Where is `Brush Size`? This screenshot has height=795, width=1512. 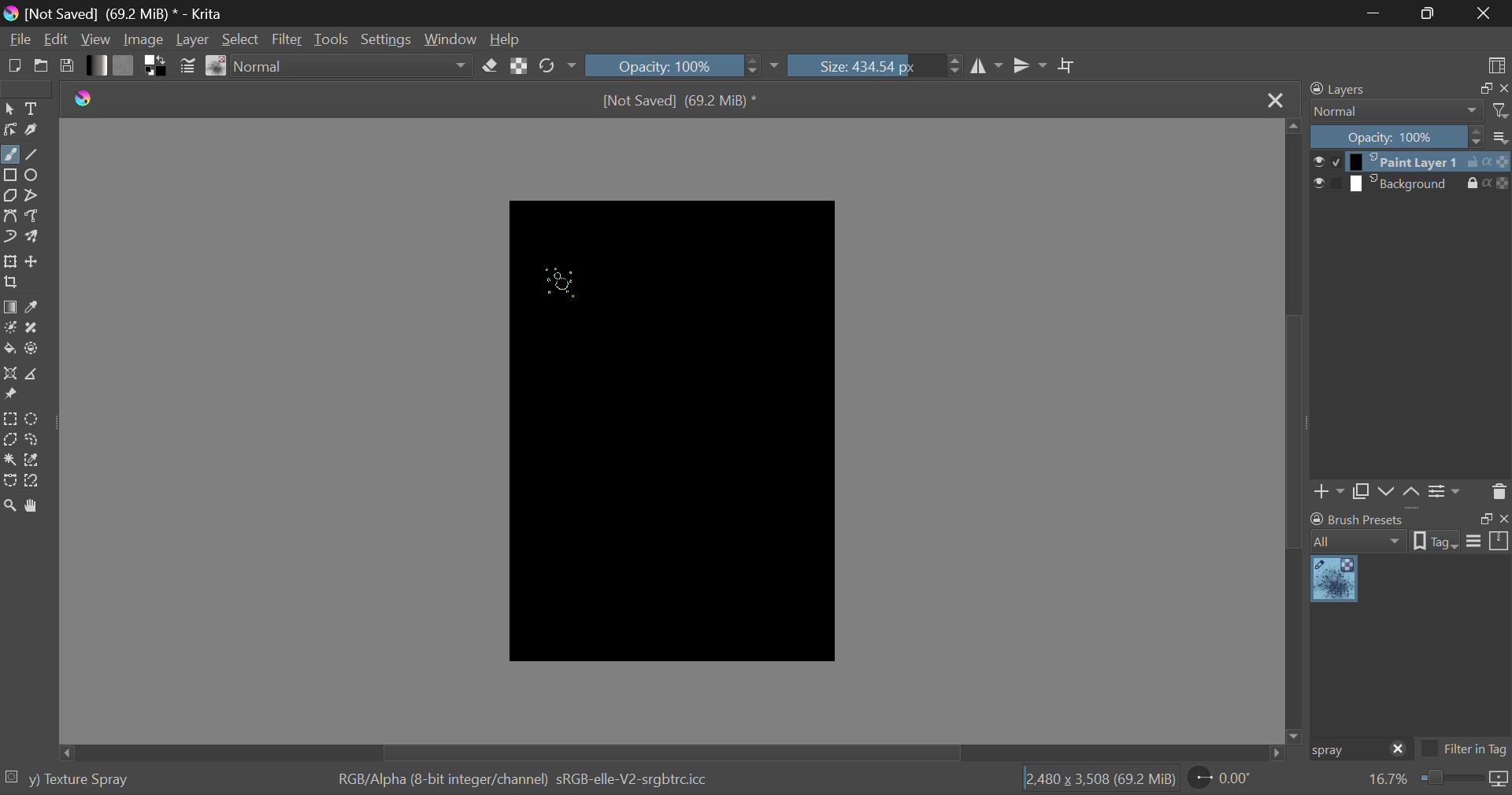 Brush Size is located at coordinates (875, 65).